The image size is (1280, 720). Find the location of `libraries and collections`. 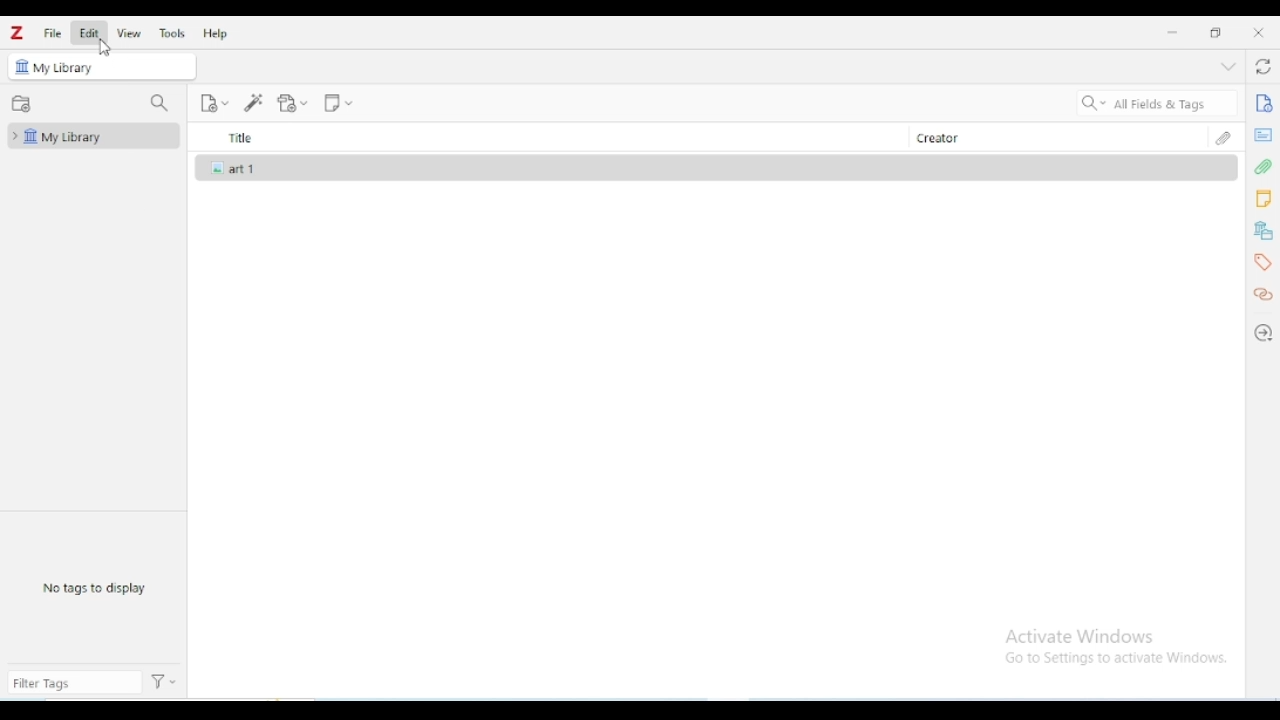

libraries and collections is located at coordinates (1263, 231).